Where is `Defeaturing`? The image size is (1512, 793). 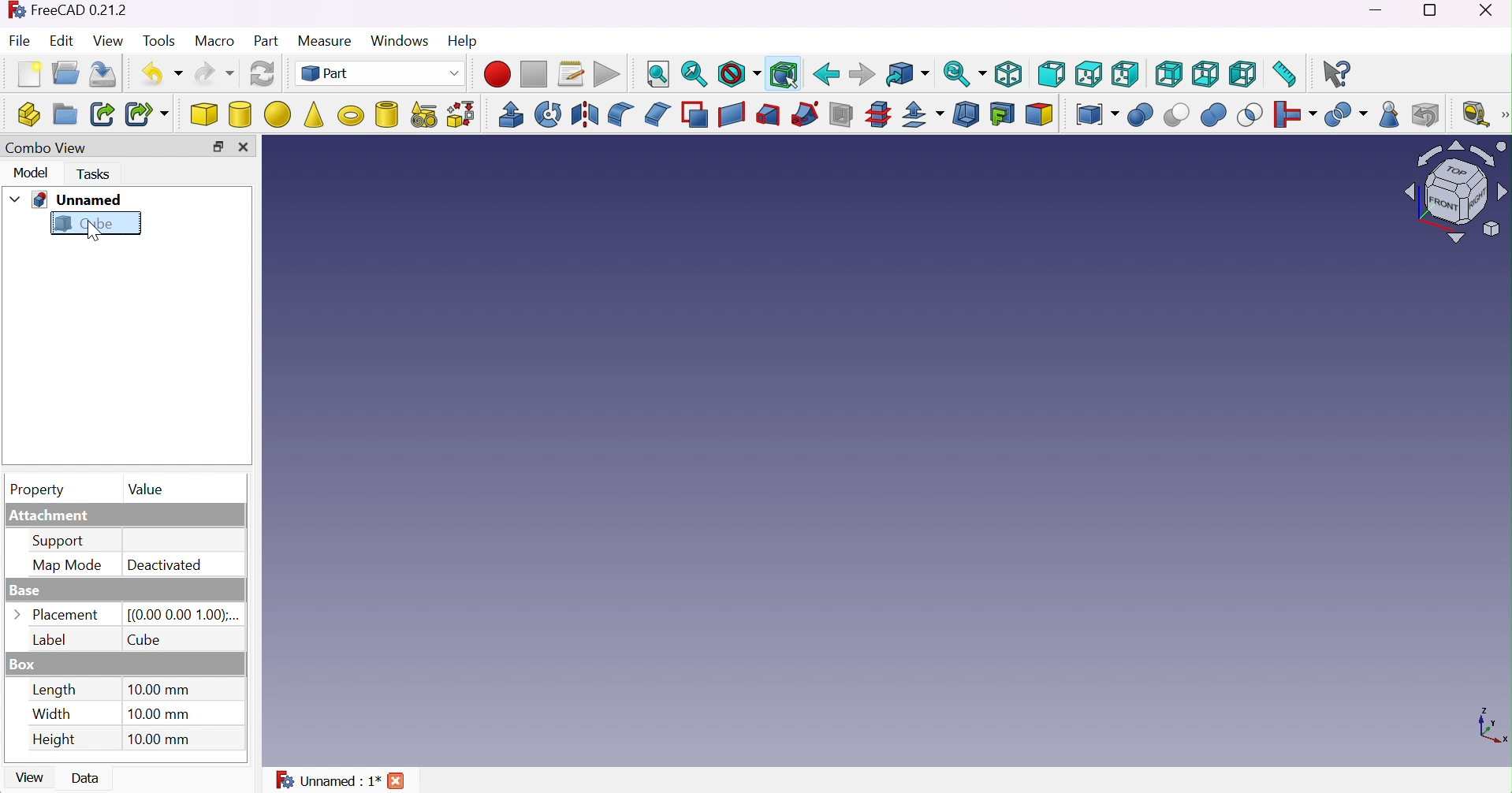
Defeaturing is located at coordinates (1423, 115).